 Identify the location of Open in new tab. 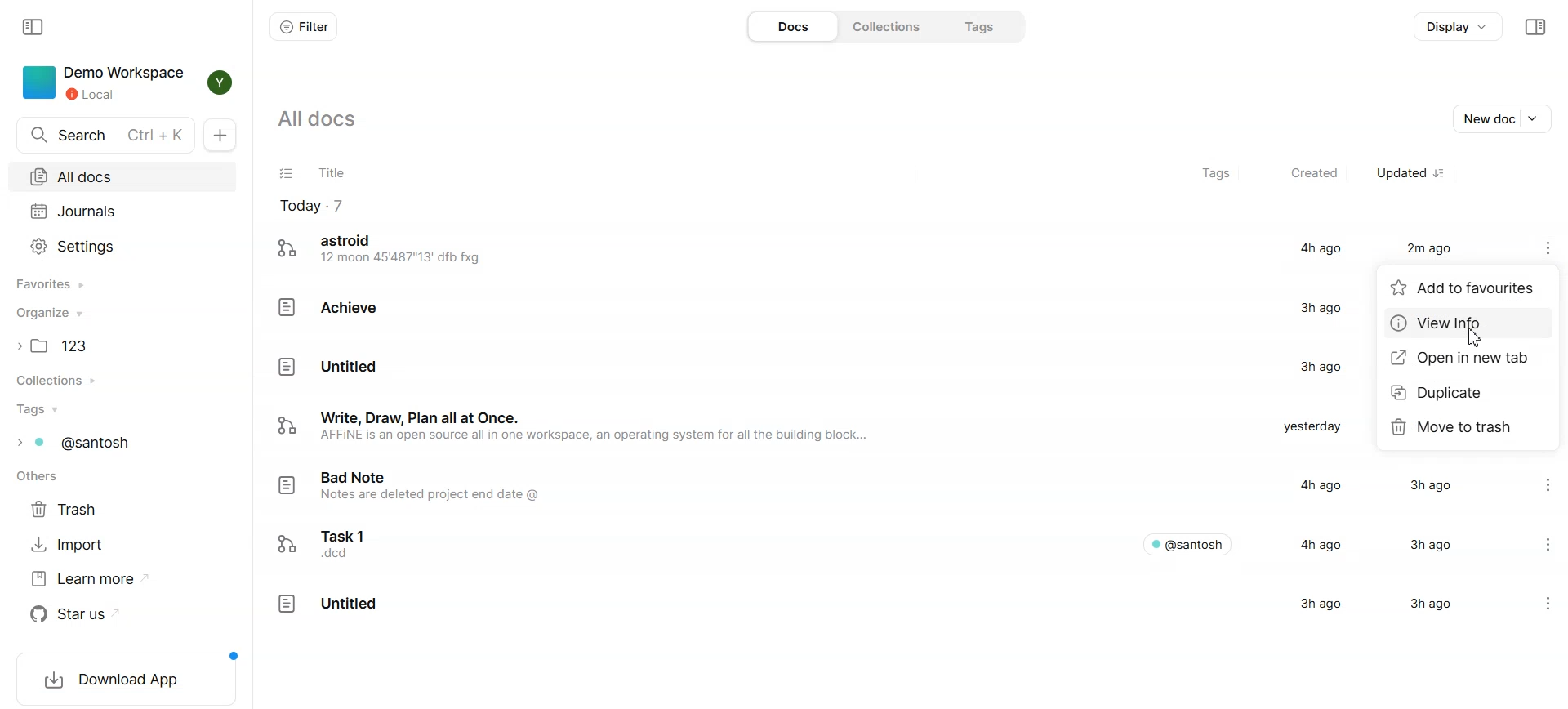
(1470, 359).